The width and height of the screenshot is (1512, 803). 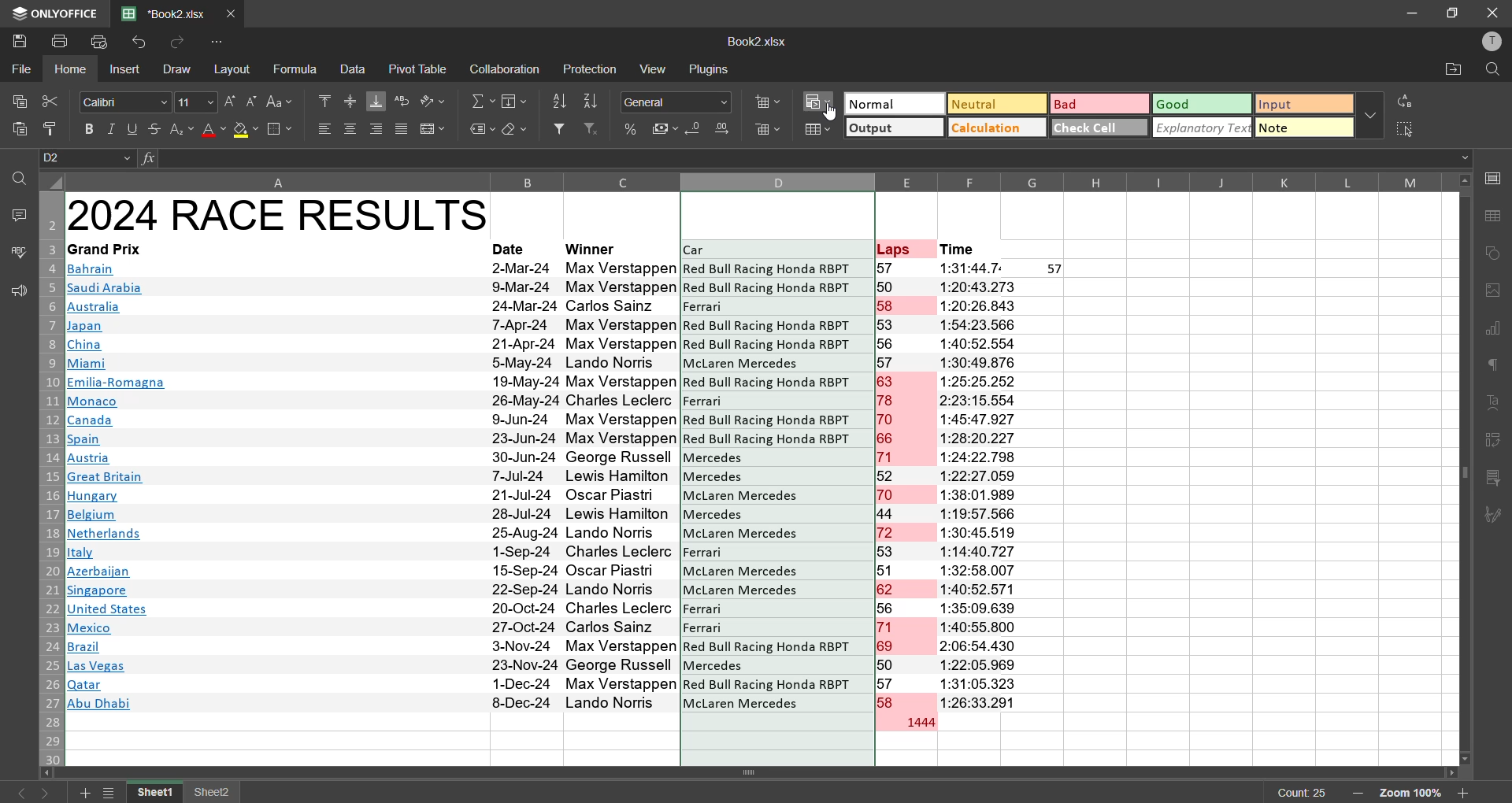 I want to click on normal, so click(x=892, y=103).